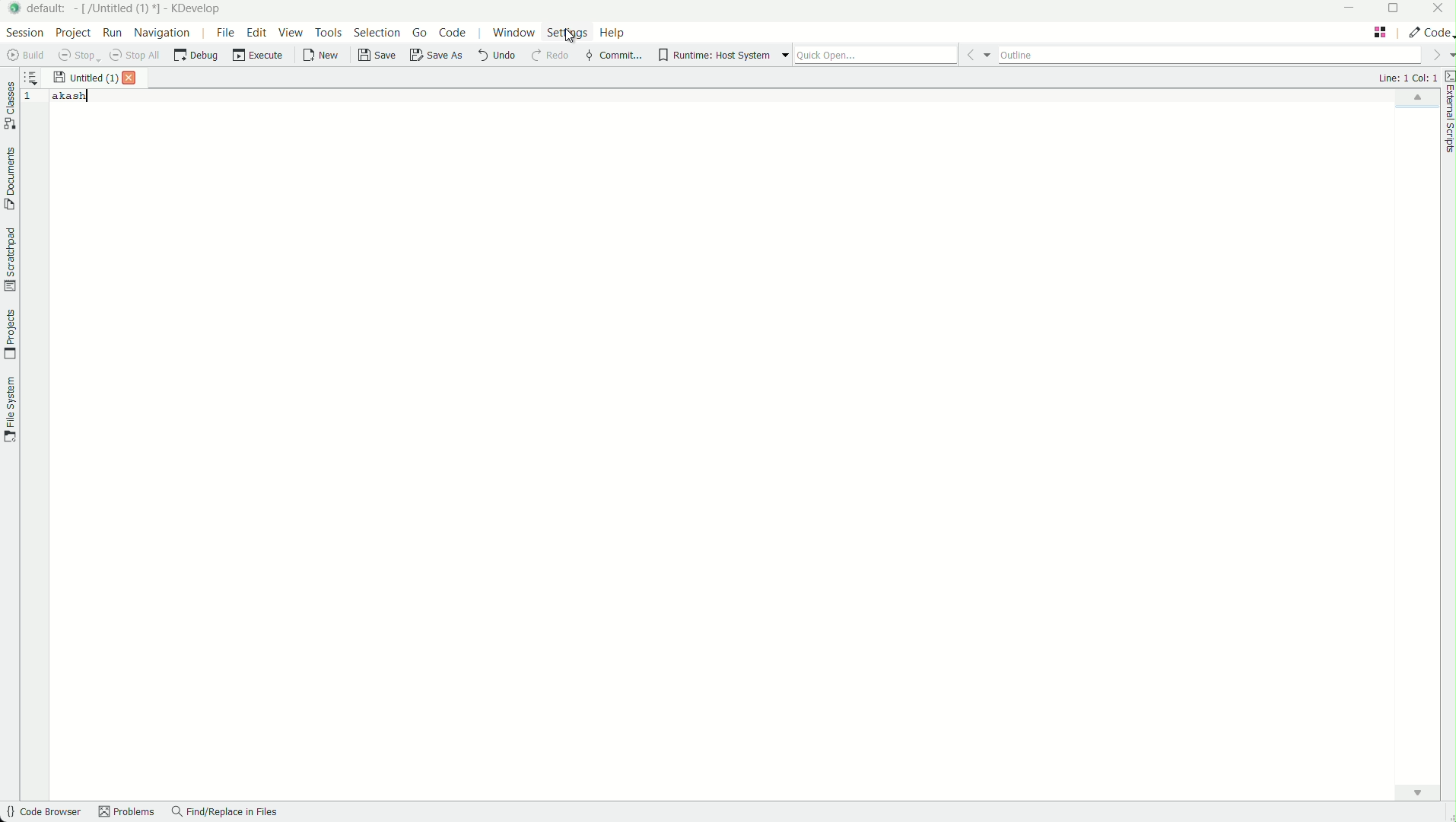 The width and height of the screenshot is (1456, 822). Describe the element at coordinates (1210, 53) in the screenshot. I see `outline` at that location.